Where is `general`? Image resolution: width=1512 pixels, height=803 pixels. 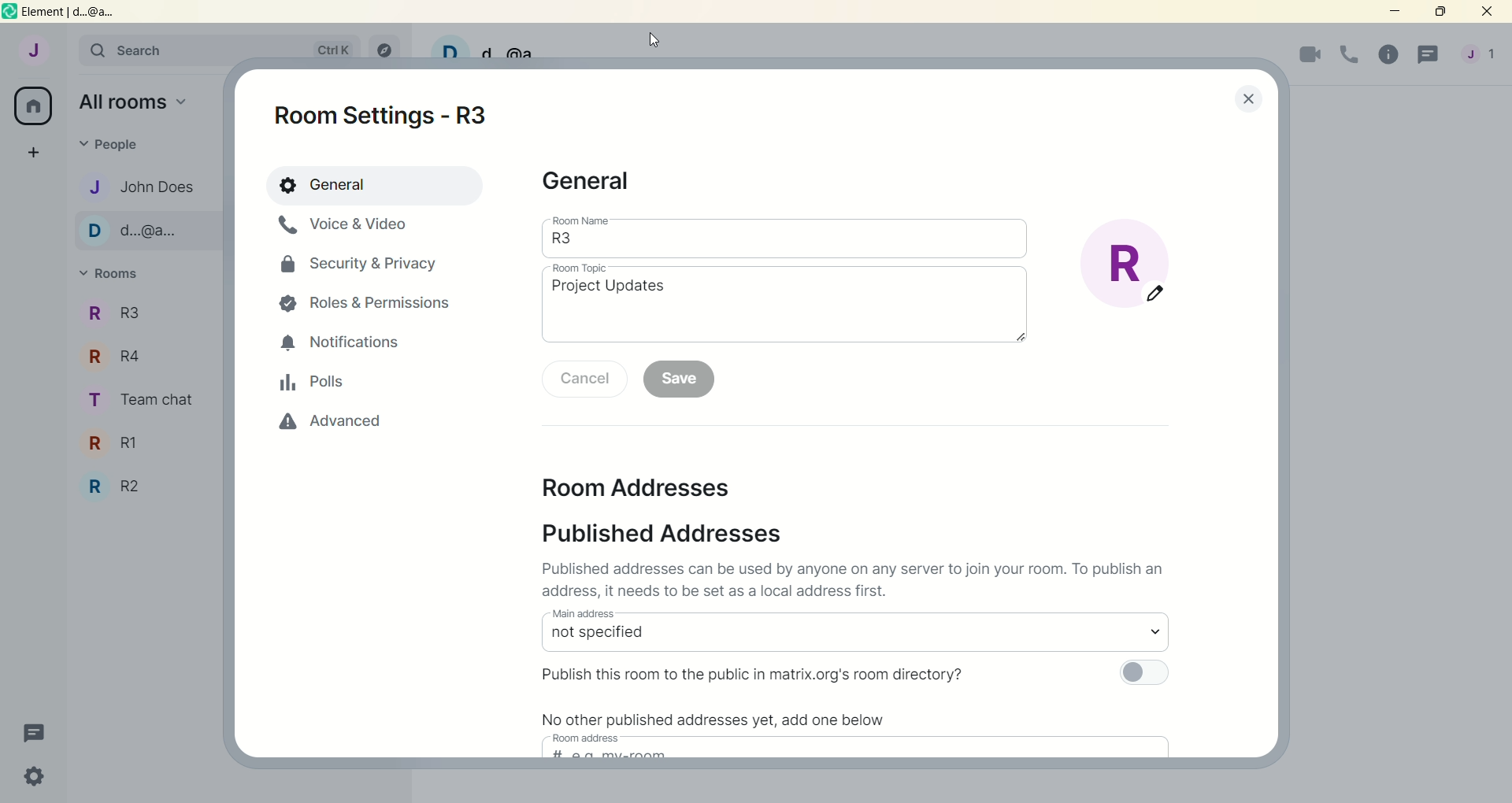 general is located at coordinates (376, 184).